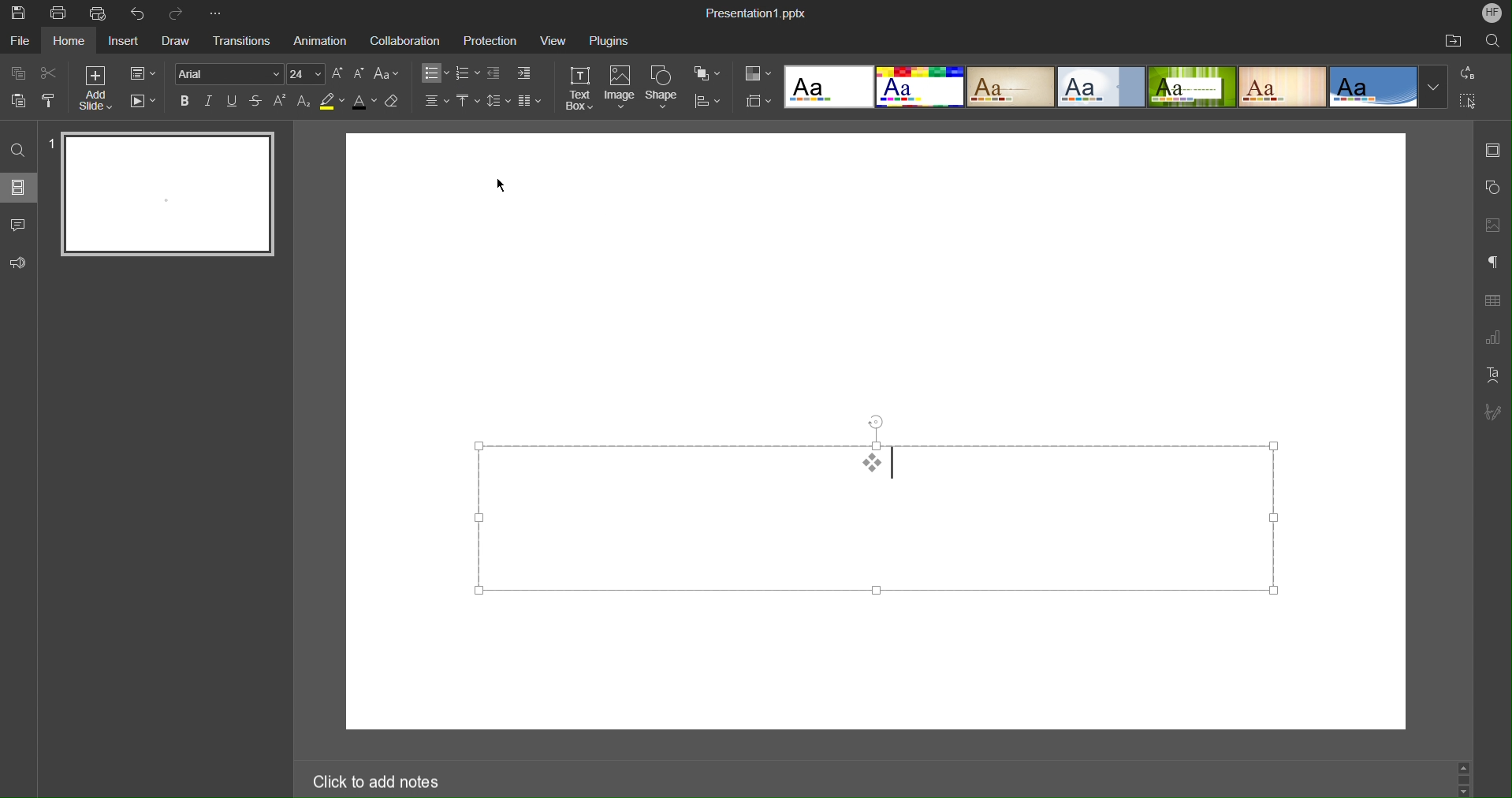  Describe the element at coordinates (125, 41) in the screenshot. I see `Insert` at that location.